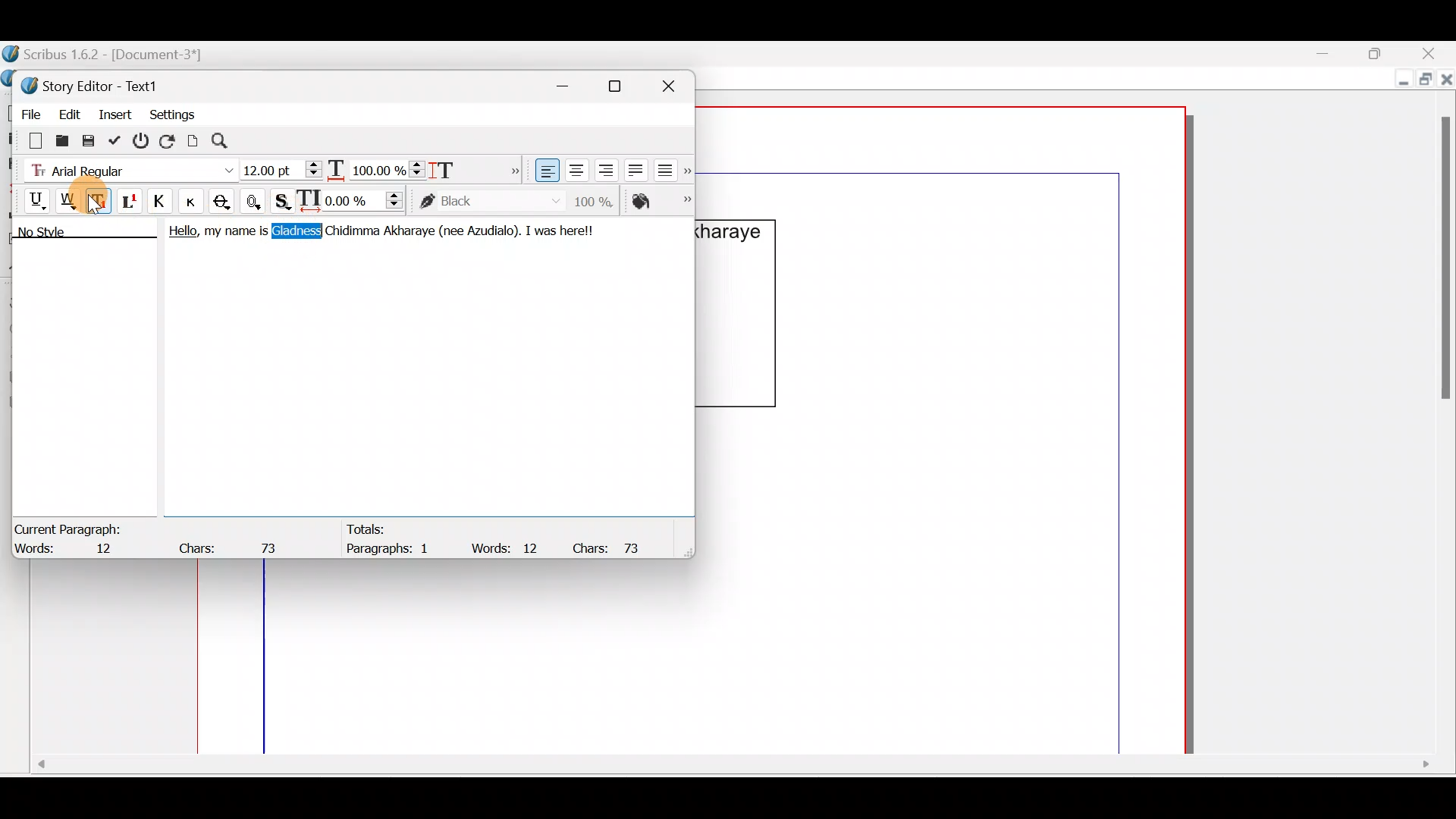  Describe the element at coordinates (193, 139) in the screenshot. I see `Update text frame` at that location.